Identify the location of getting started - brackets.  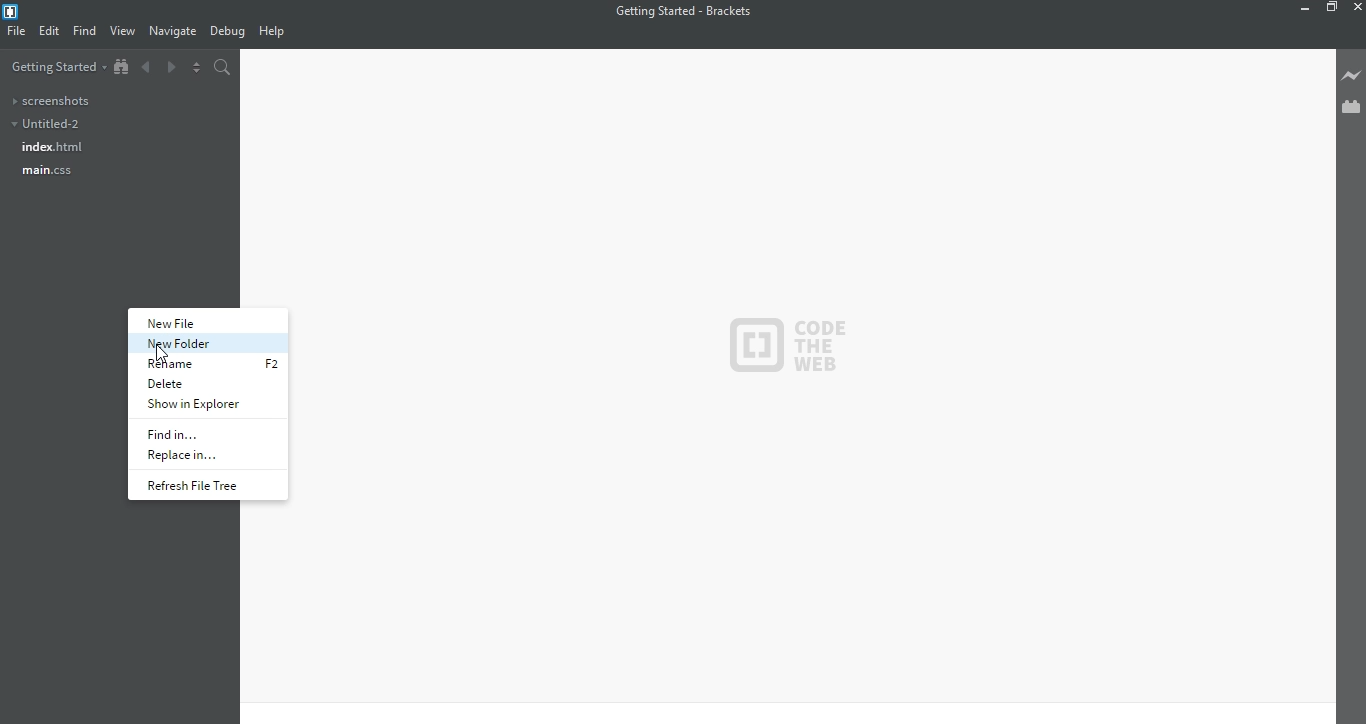
(687, 11).